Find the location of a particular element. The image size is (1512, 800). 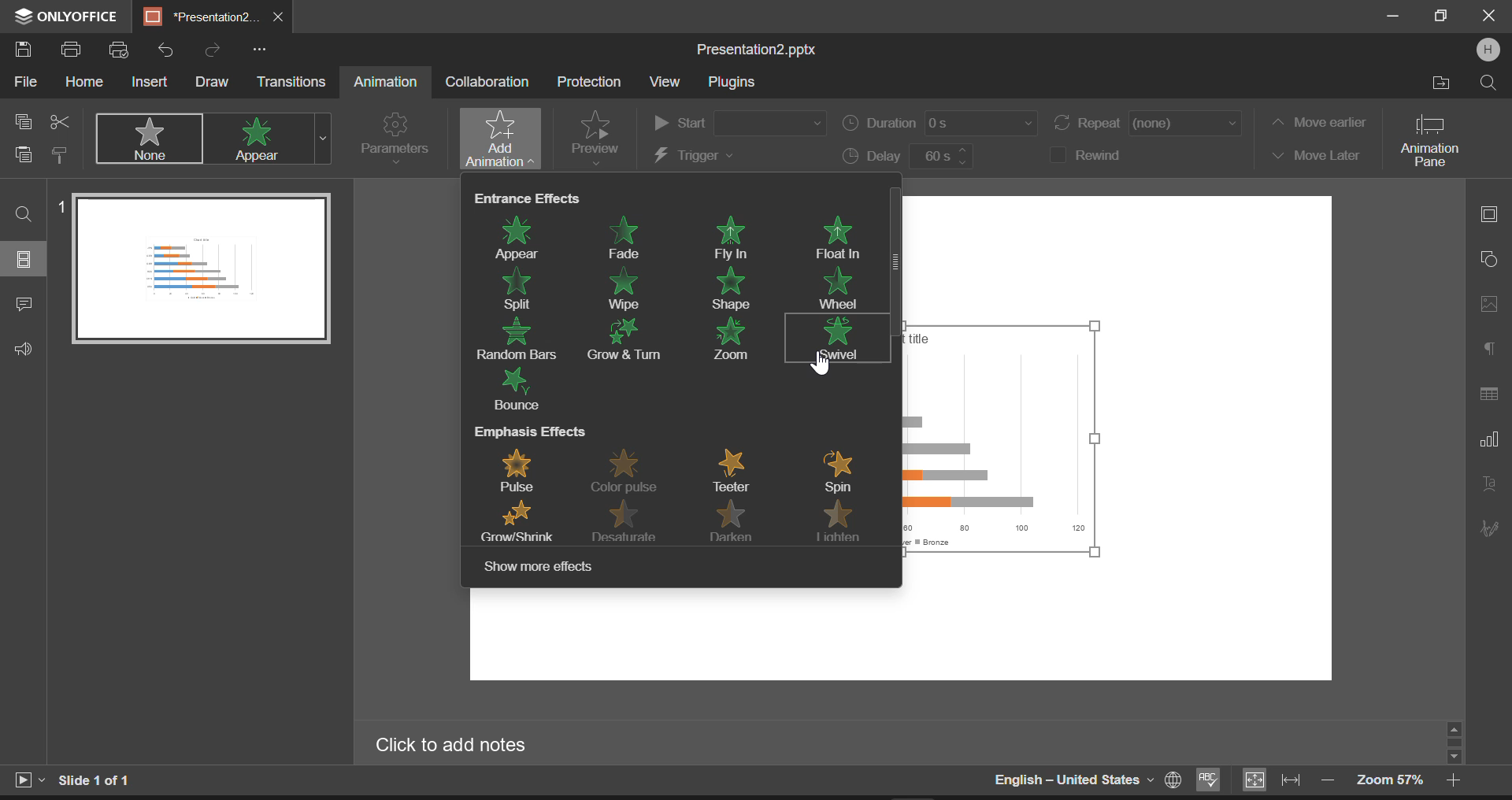

Shape is located at coordinates (732, 288).